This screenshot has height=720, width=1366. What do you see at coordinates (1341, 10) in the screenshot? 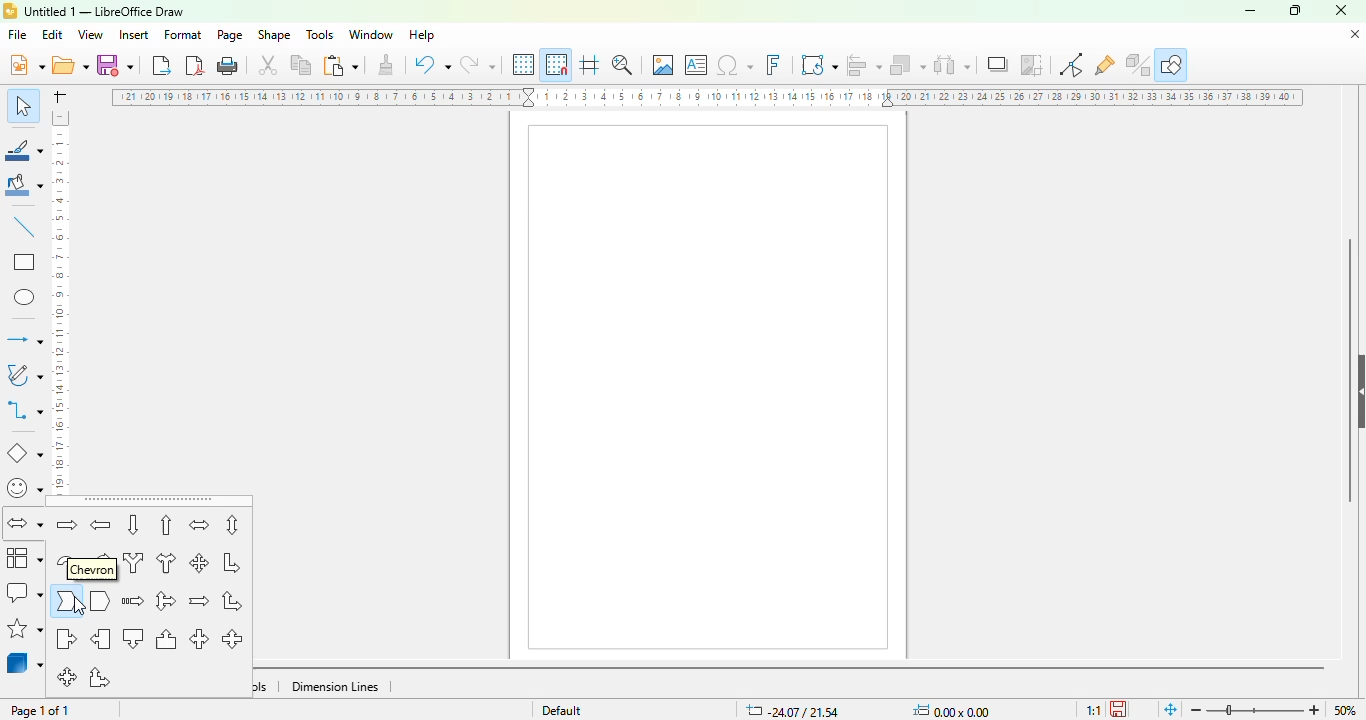
I see `close` at bounding box center [1341, 10].